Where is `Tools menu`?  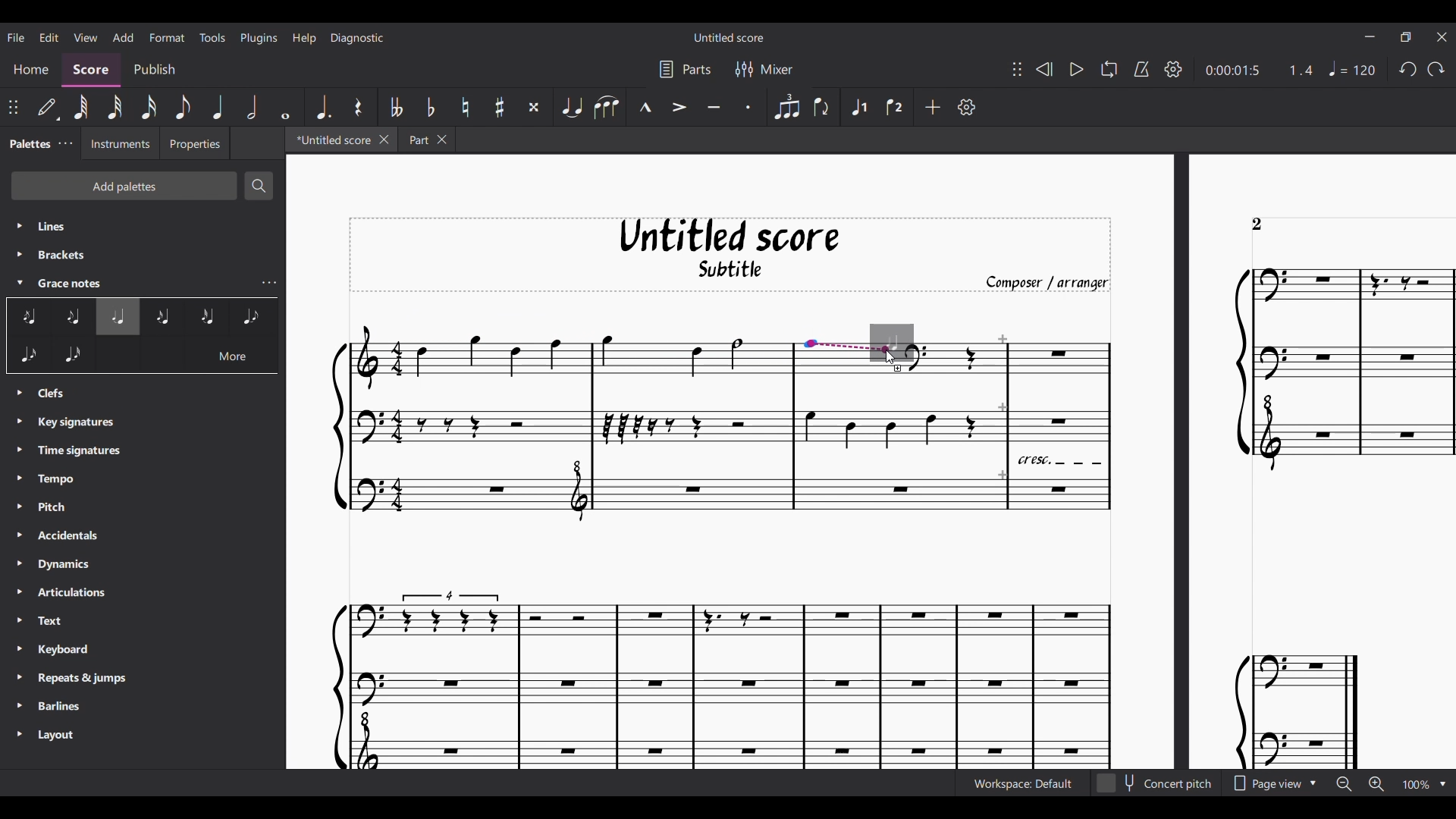 Tools menu is located at coordinates (213, 37).